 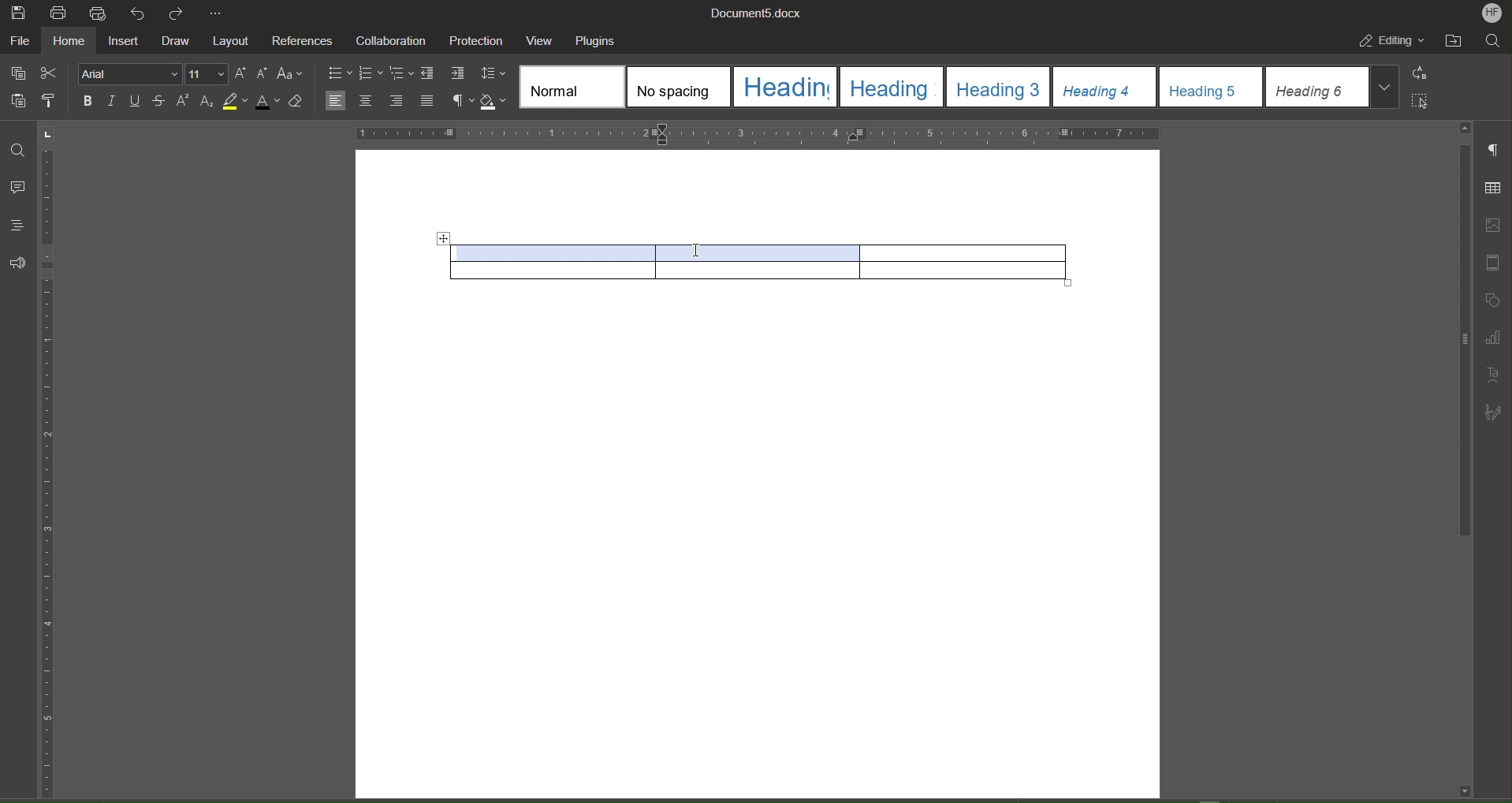 What do you see at coordinates (1456, 42) in the screenshot?
I see `Open File Location` at bounding box center [1456, 42].